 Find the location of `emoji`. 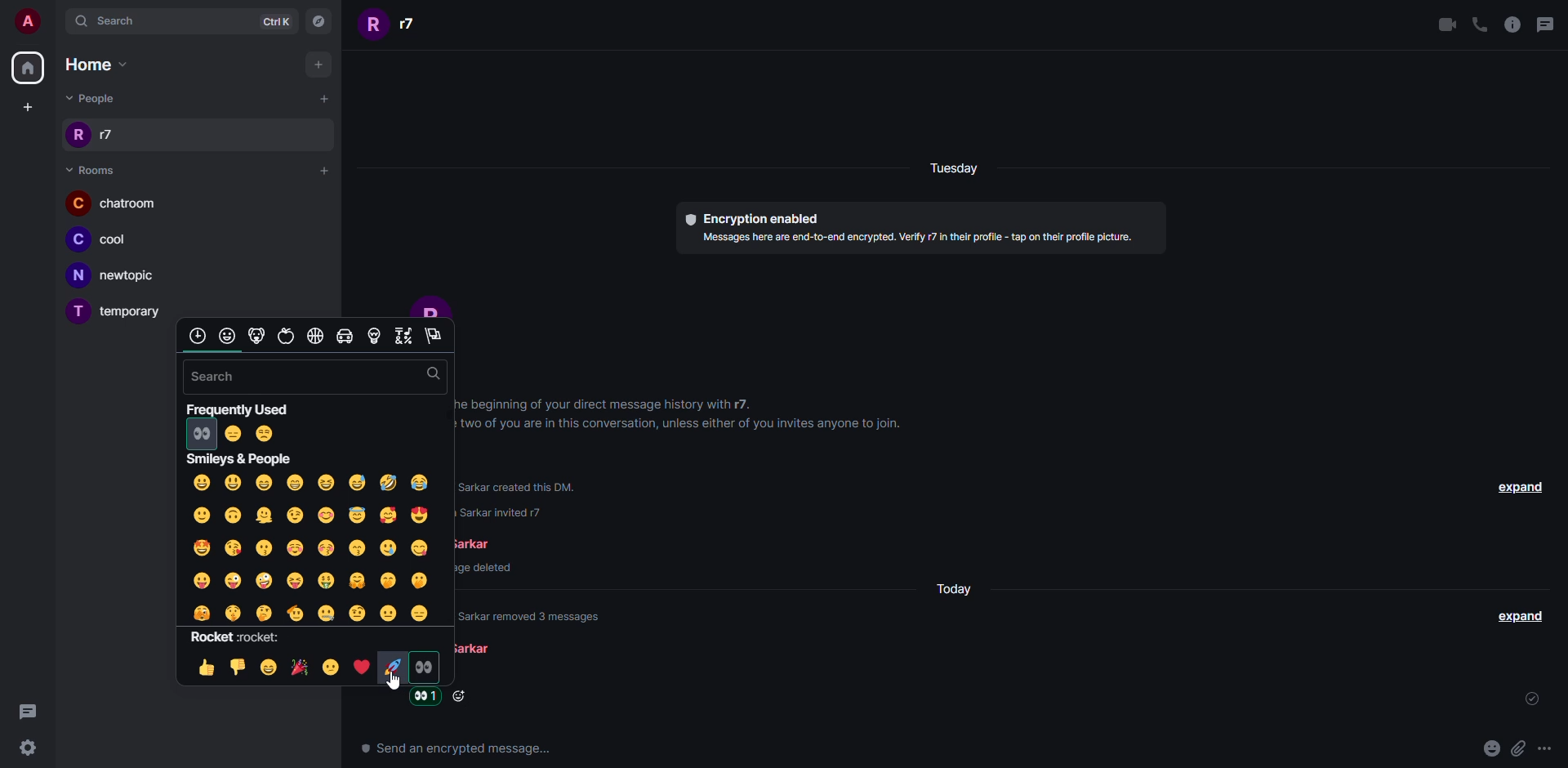

emoji is located at coordinates (1490, 748).